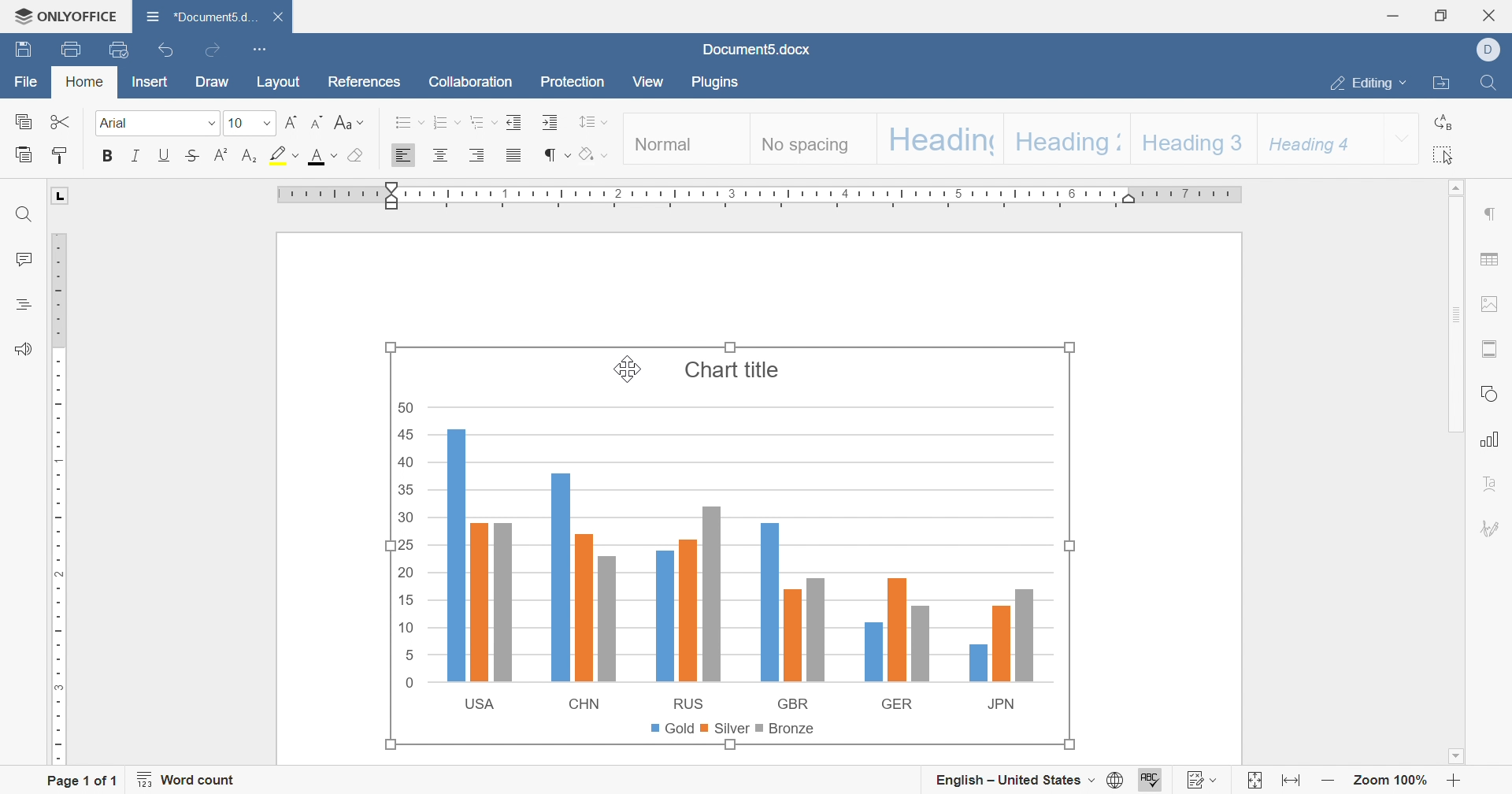  Describe the element at coordinates (1254, 781) in the screenshot. I see `fit to slide` at that location.